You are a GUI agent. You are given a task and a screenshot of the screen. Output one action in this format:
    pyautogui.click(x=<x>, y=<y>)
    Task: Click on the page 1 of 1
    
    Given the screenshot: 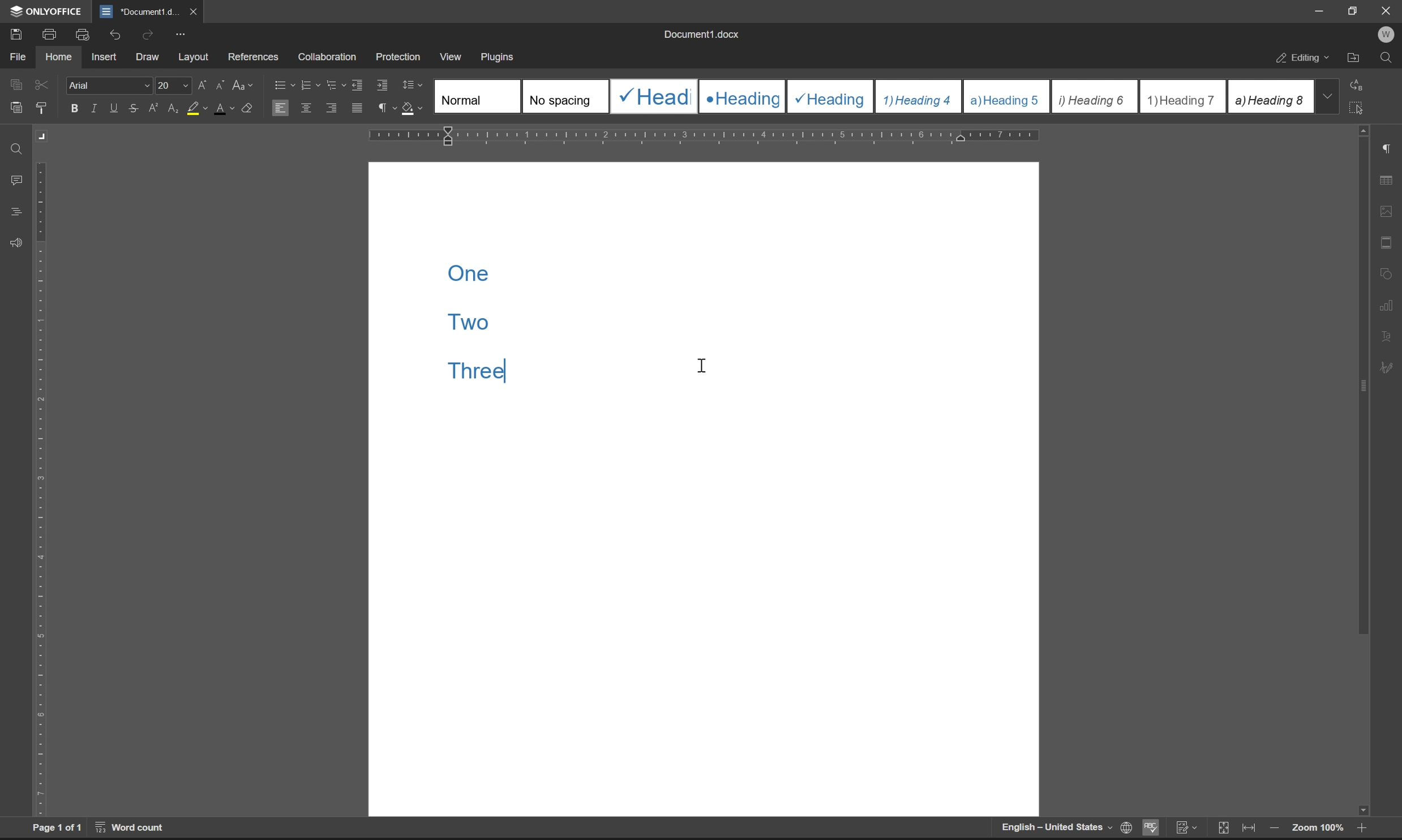 What is the action you would take?
    pyautogui.click(x=57, y=828)
    